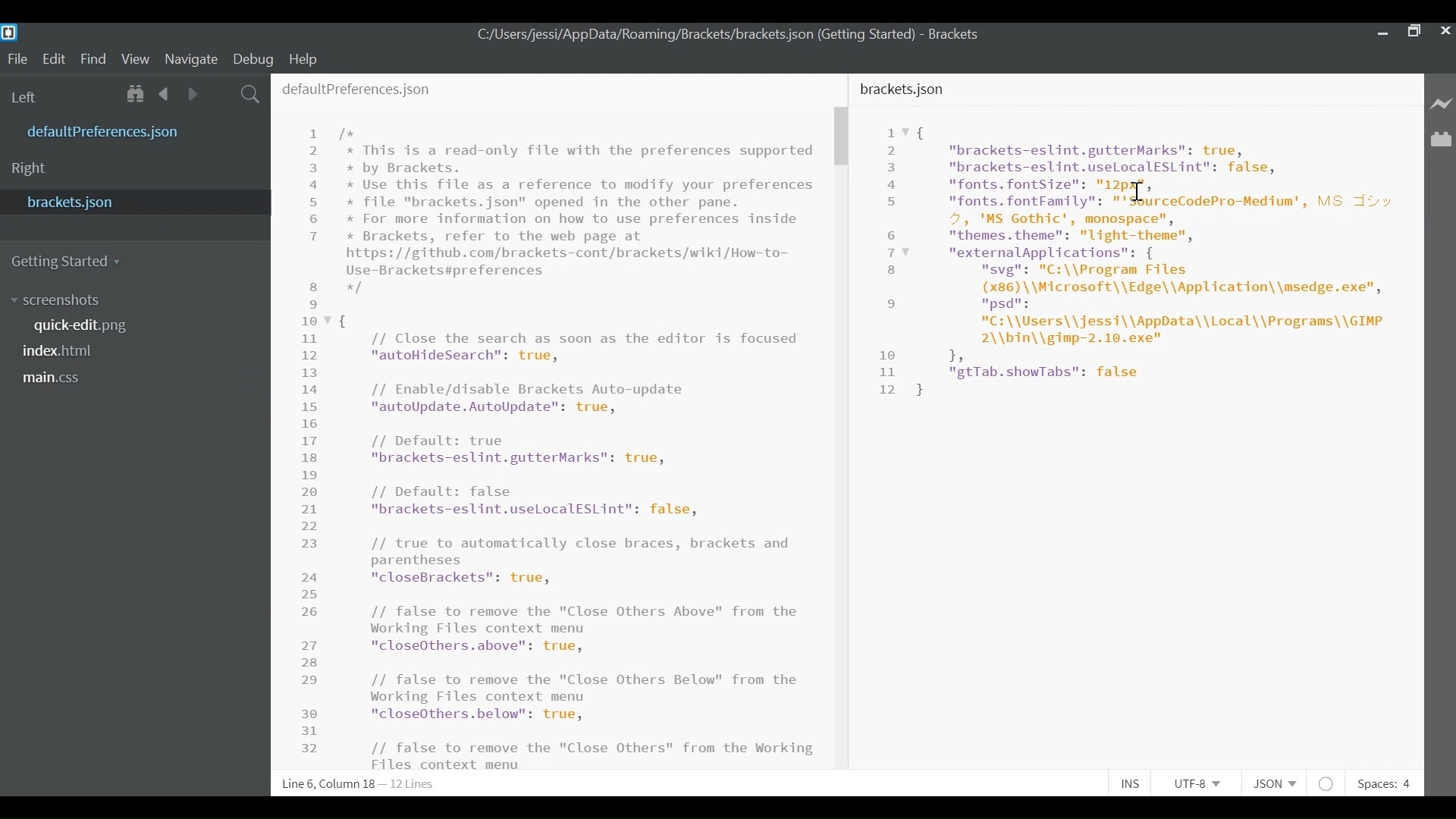 The height and width of the screenshot is (819, 1456). What do you see at coordinates (252, 93) in the screenshot?
I see `Search icon` at bounding box center [252, 93].